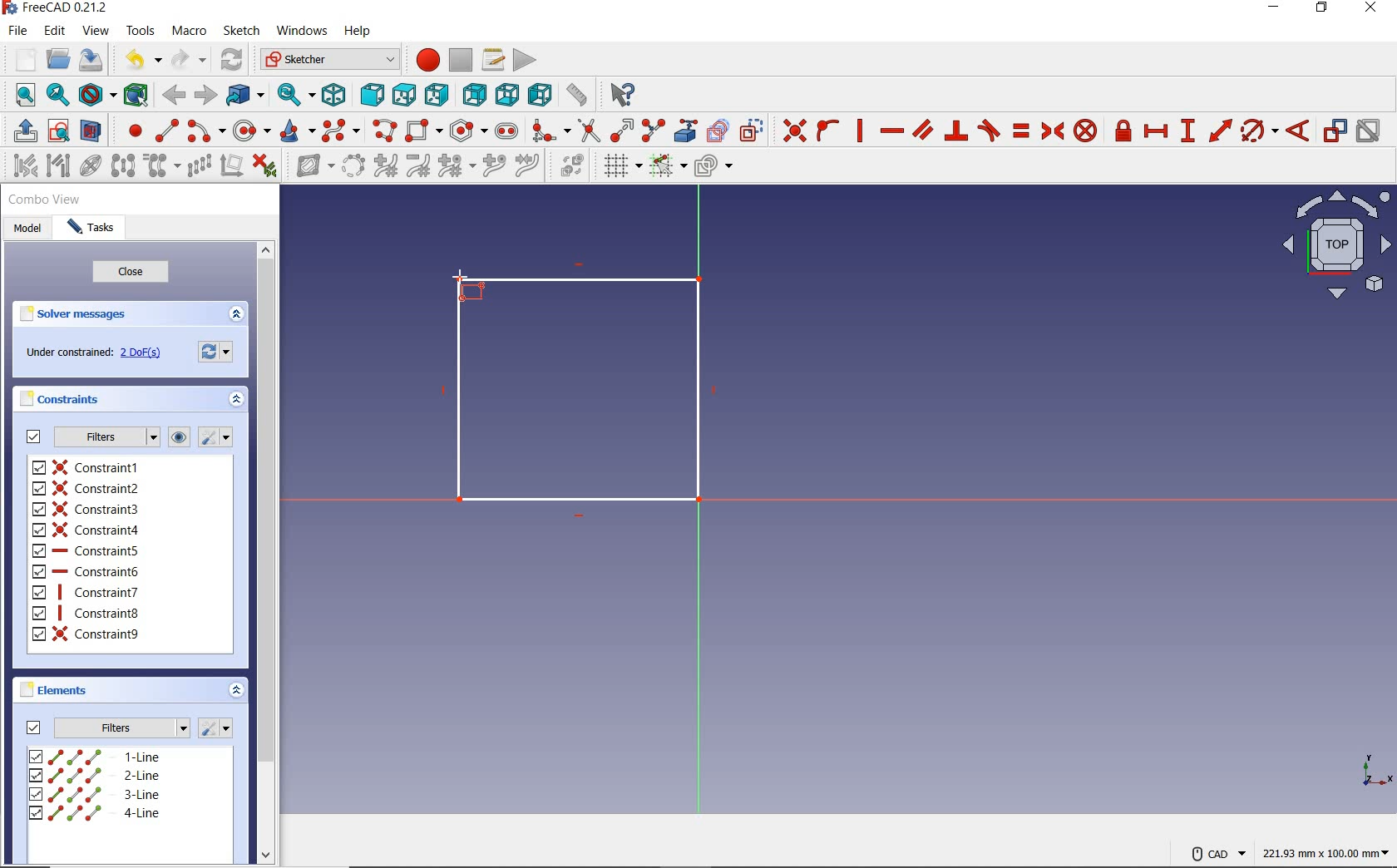 The height and width of the screenshot is (868, 1397). I want to click on constraint9, so click(86, 635).